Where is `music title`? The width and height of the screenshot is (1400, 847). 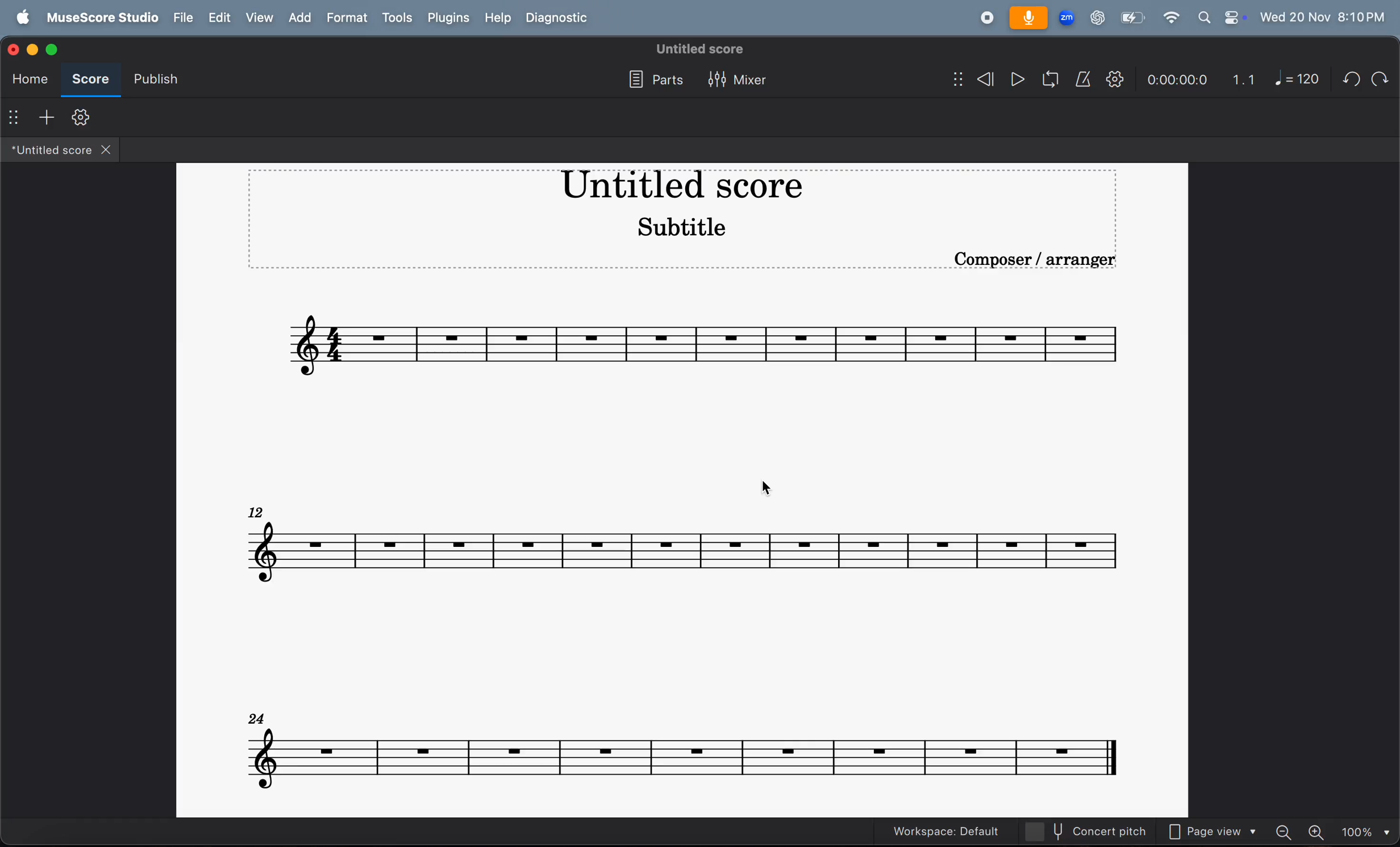 music title is located at coordinates (673, 188).